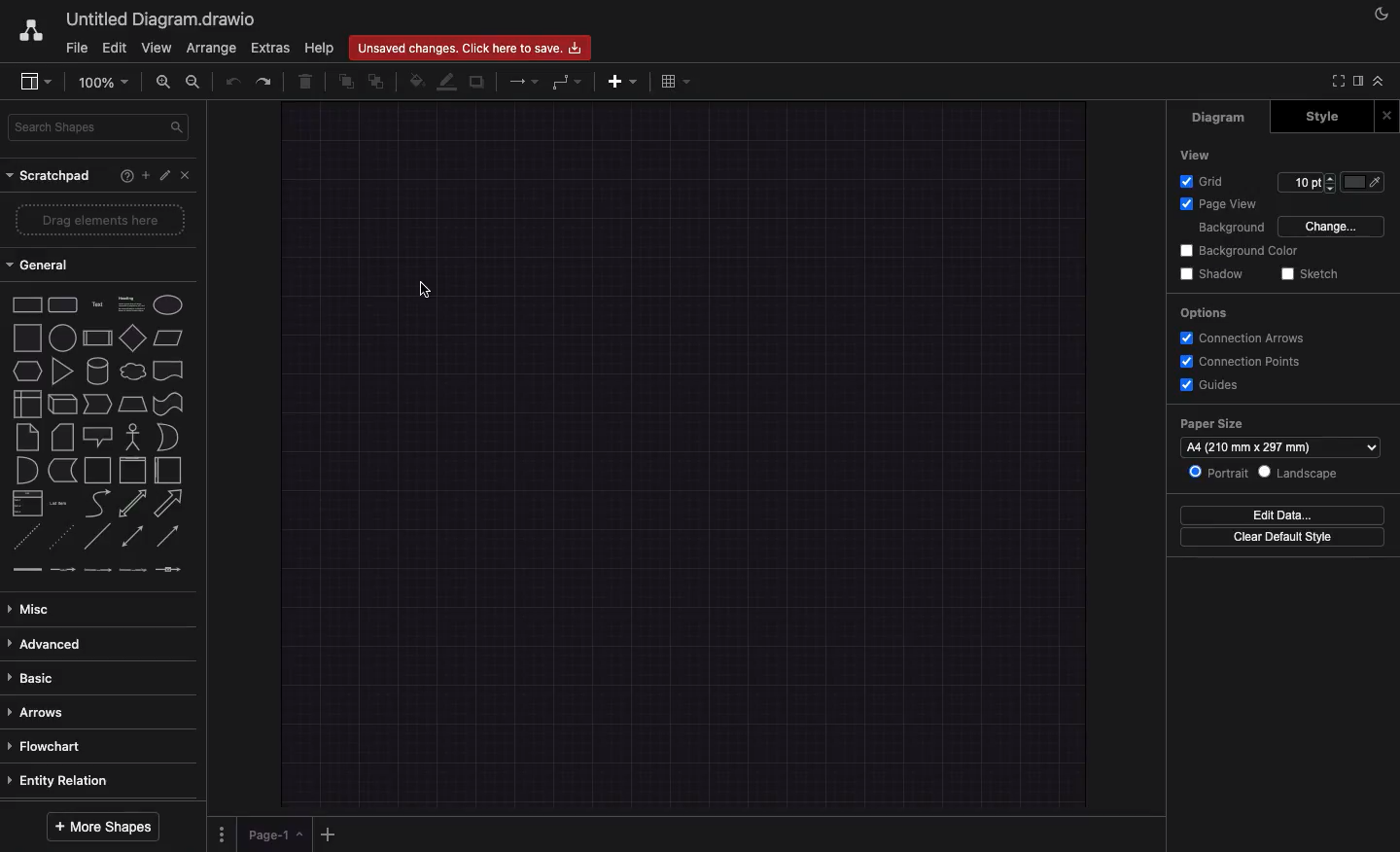  I want to click on Close , so click(1389, 114).